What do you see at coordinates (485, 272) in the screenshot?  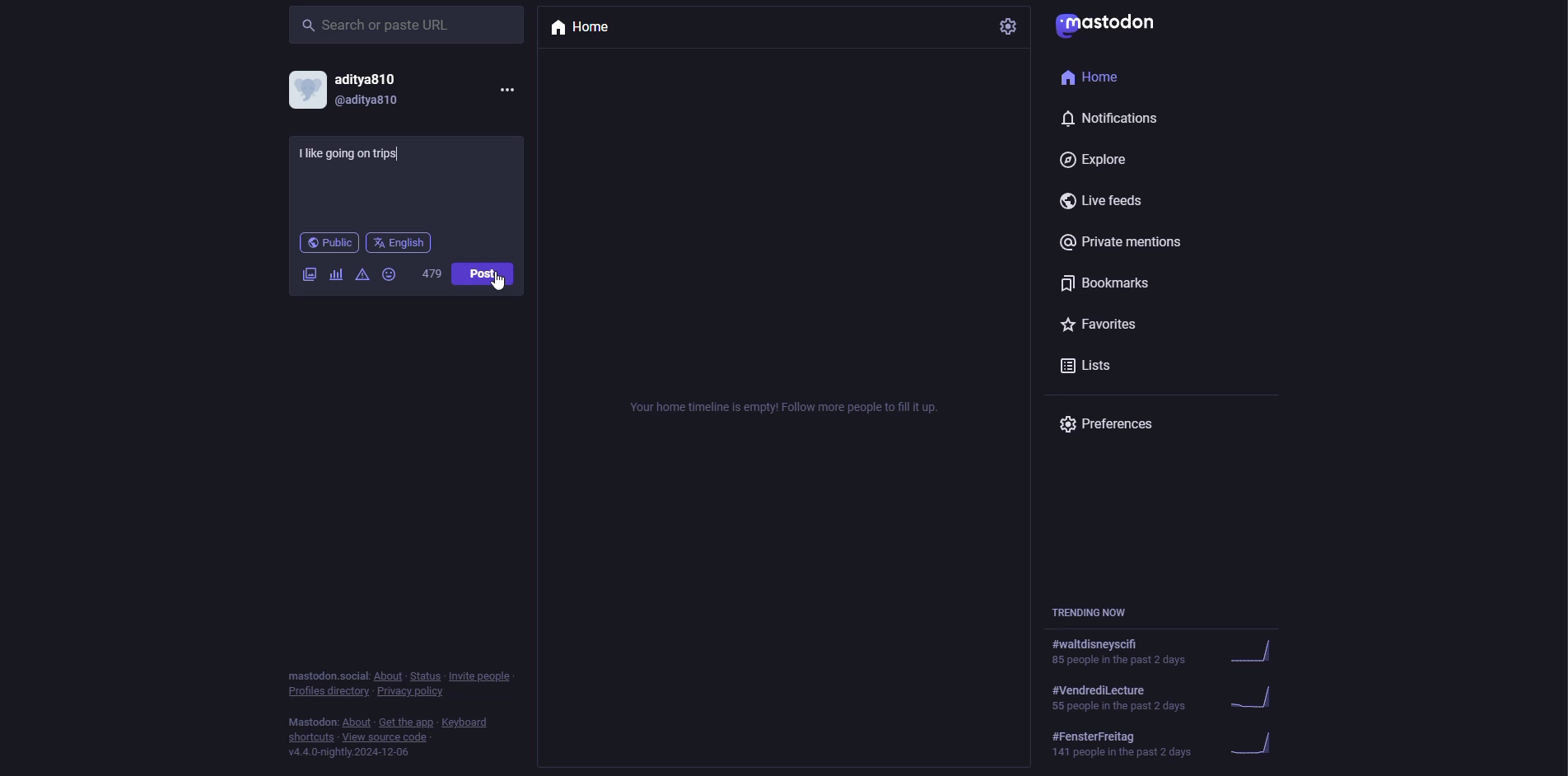 I see `post` at bounding box center [485, 272].